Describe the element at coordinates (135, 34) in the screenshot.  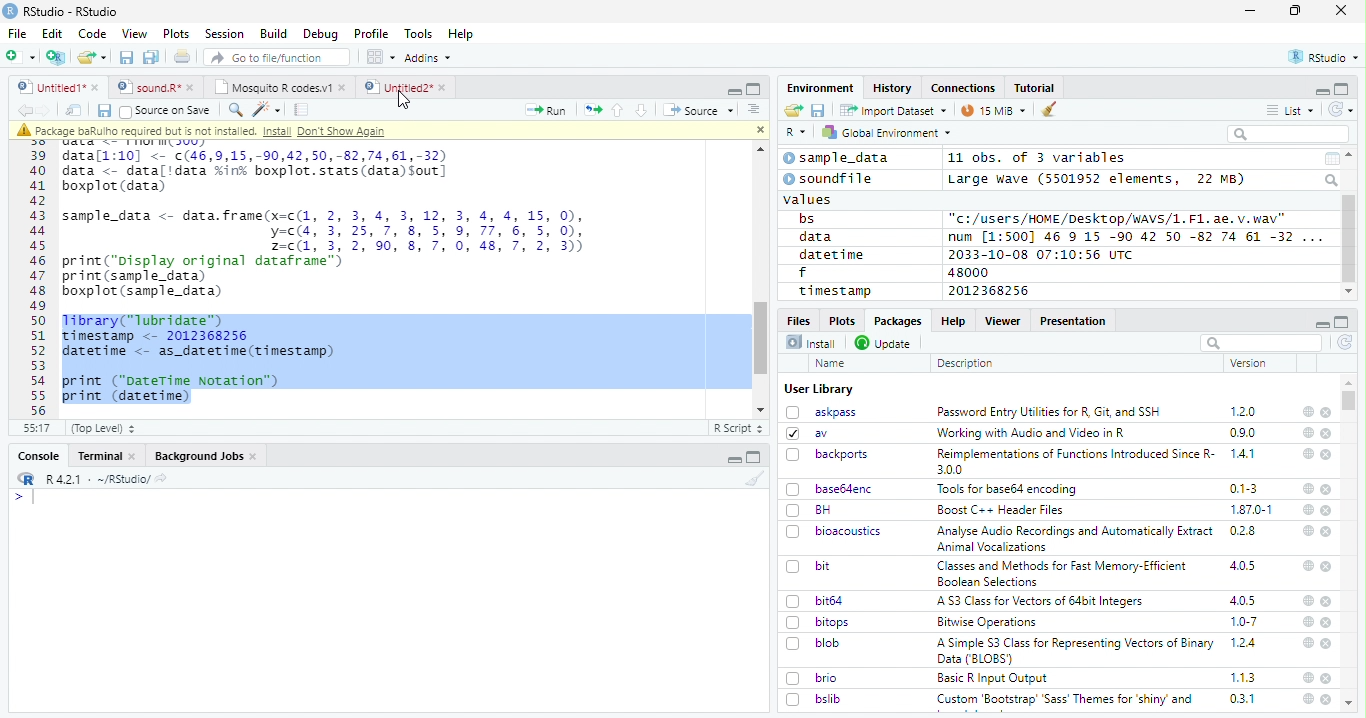
I see `View` at that location.